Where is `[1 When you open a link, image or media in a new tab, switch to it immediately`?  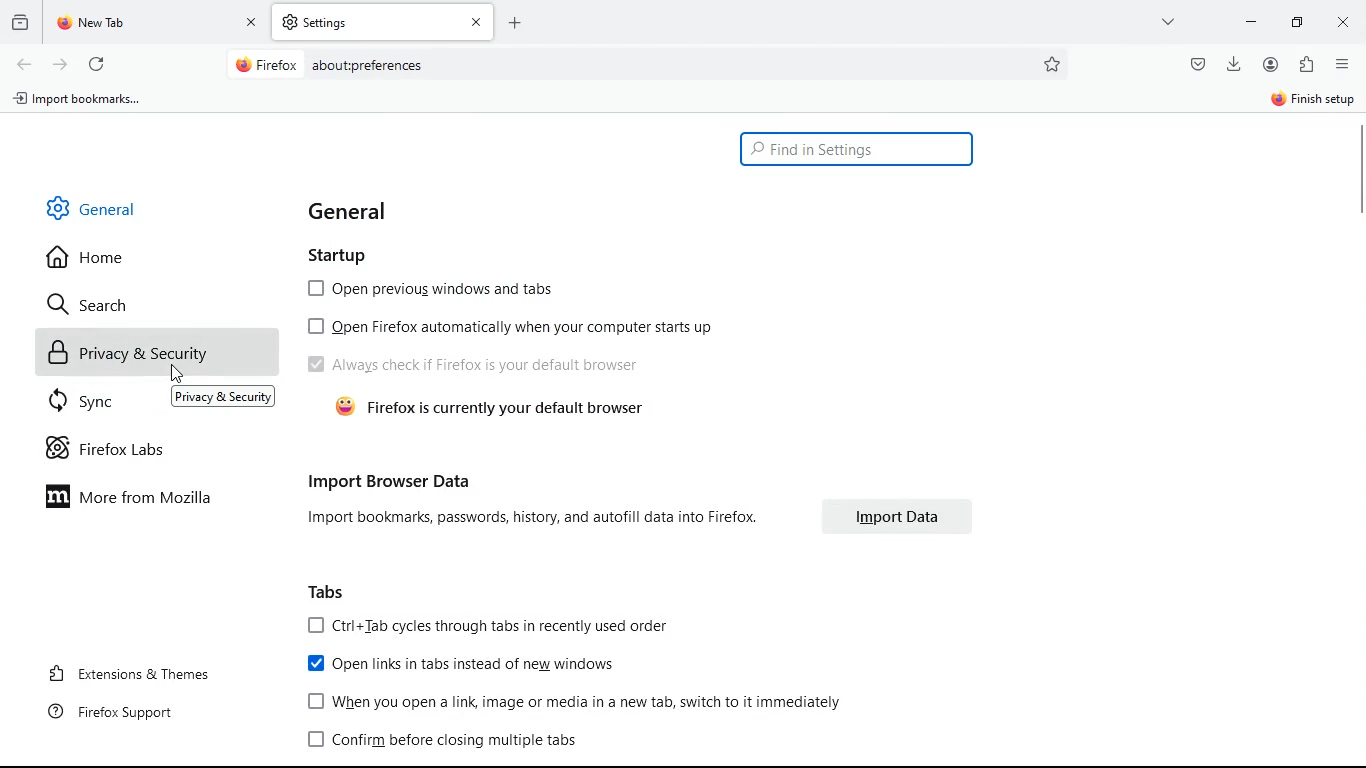 [1 When you open a link, image or media in a new tab, switch to it immediately is located at coordinates (570, 700).